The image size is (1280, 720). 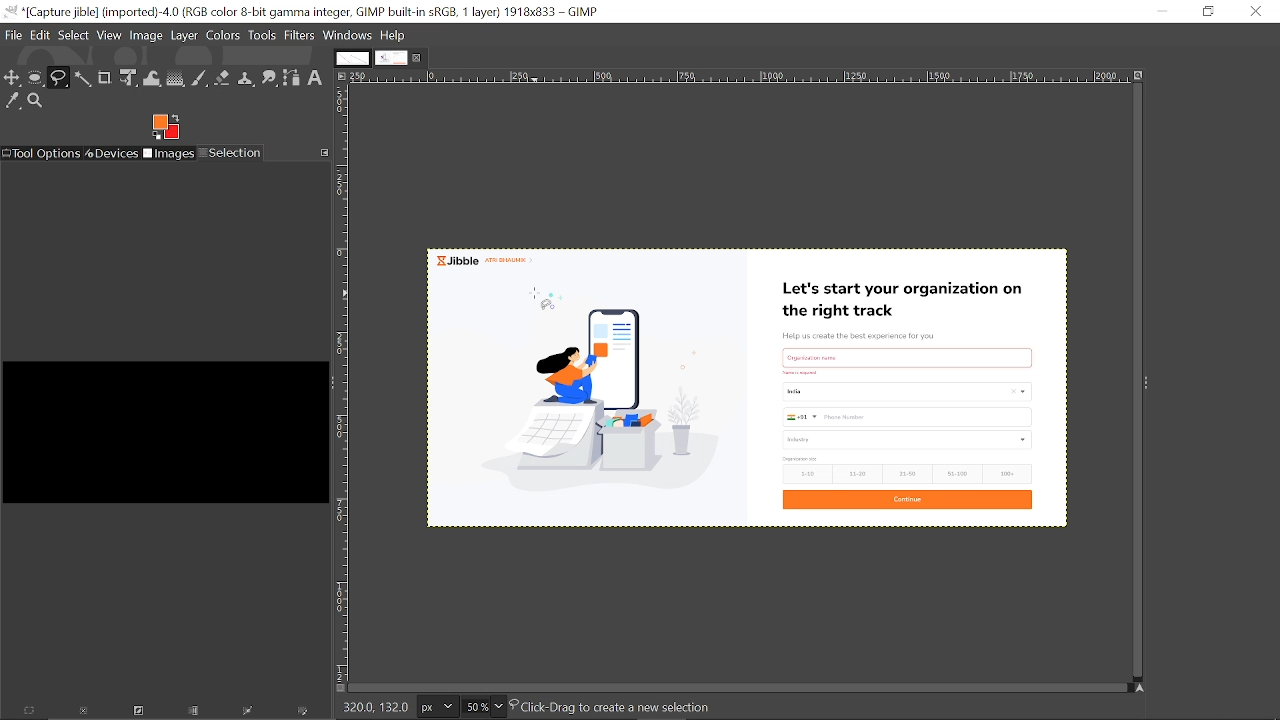 What do you see at coordinates (110, 35) in the screenshot?
I see `View` at bounding box center [110, 35].